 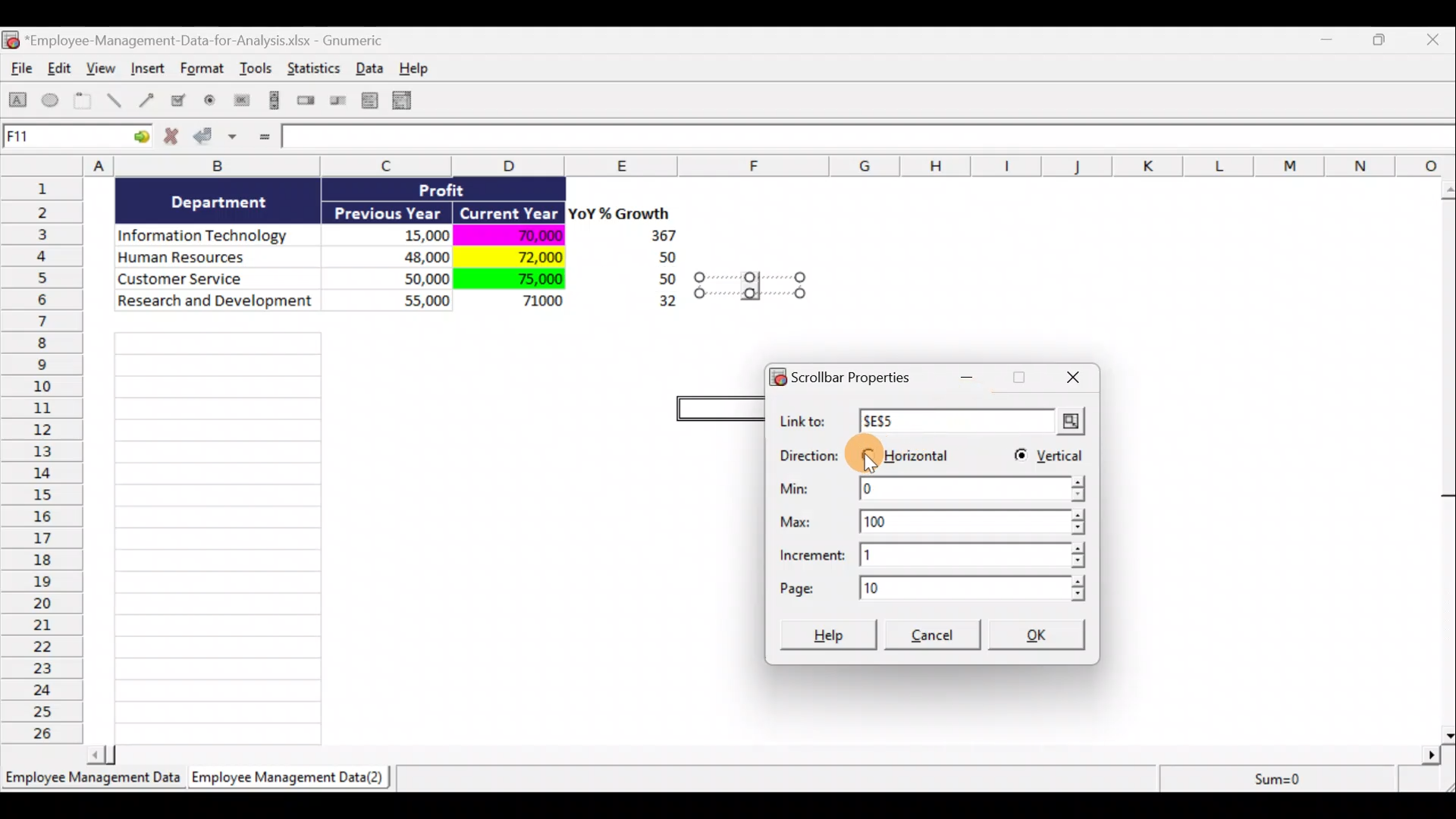 What do you see at coordinates (1047, 458) in the screenshot?
I see `Vertical` at bounding box center [1047, 458].